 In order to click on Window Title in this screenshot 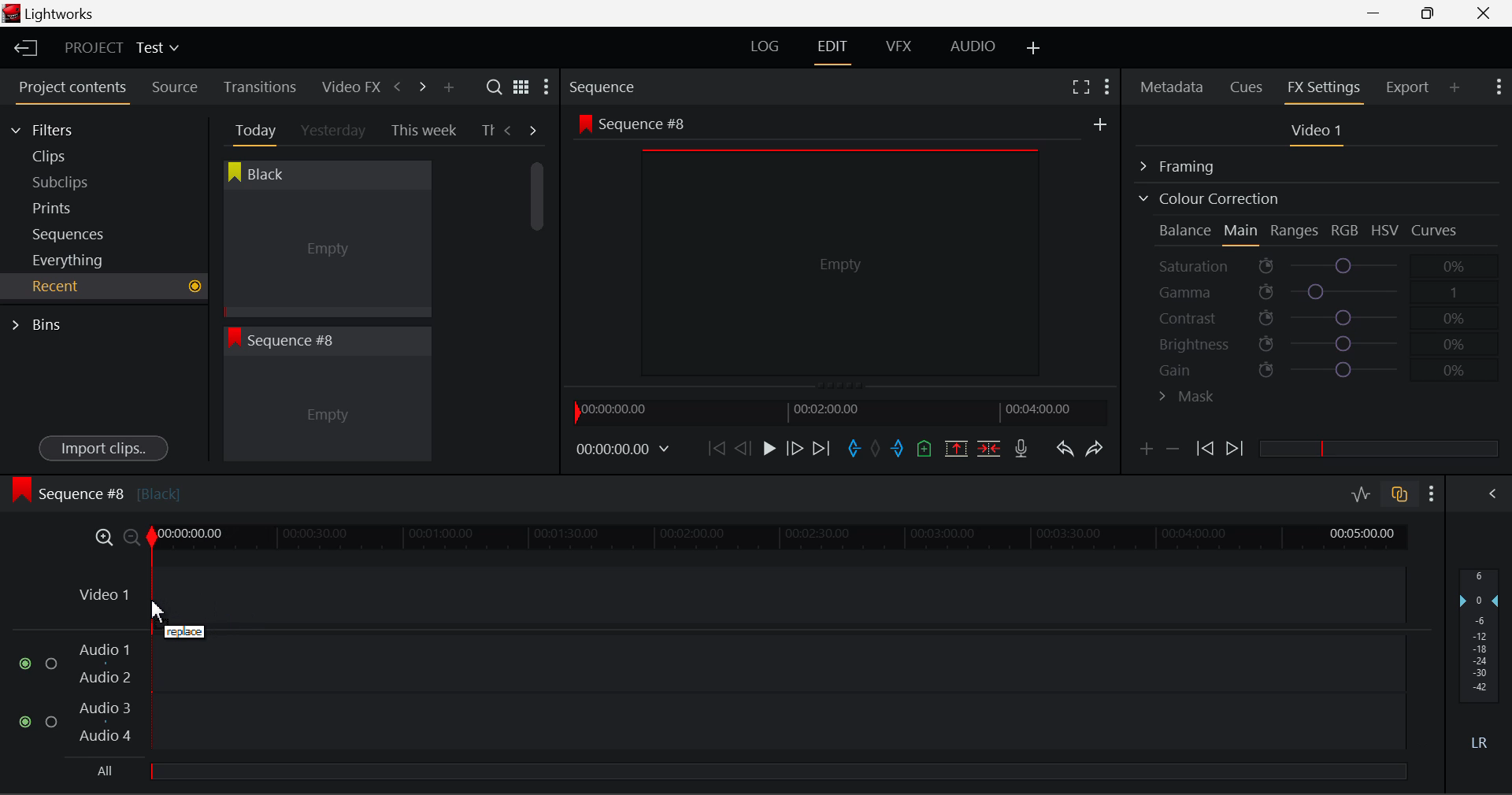, I will do `click(49, 15)`.